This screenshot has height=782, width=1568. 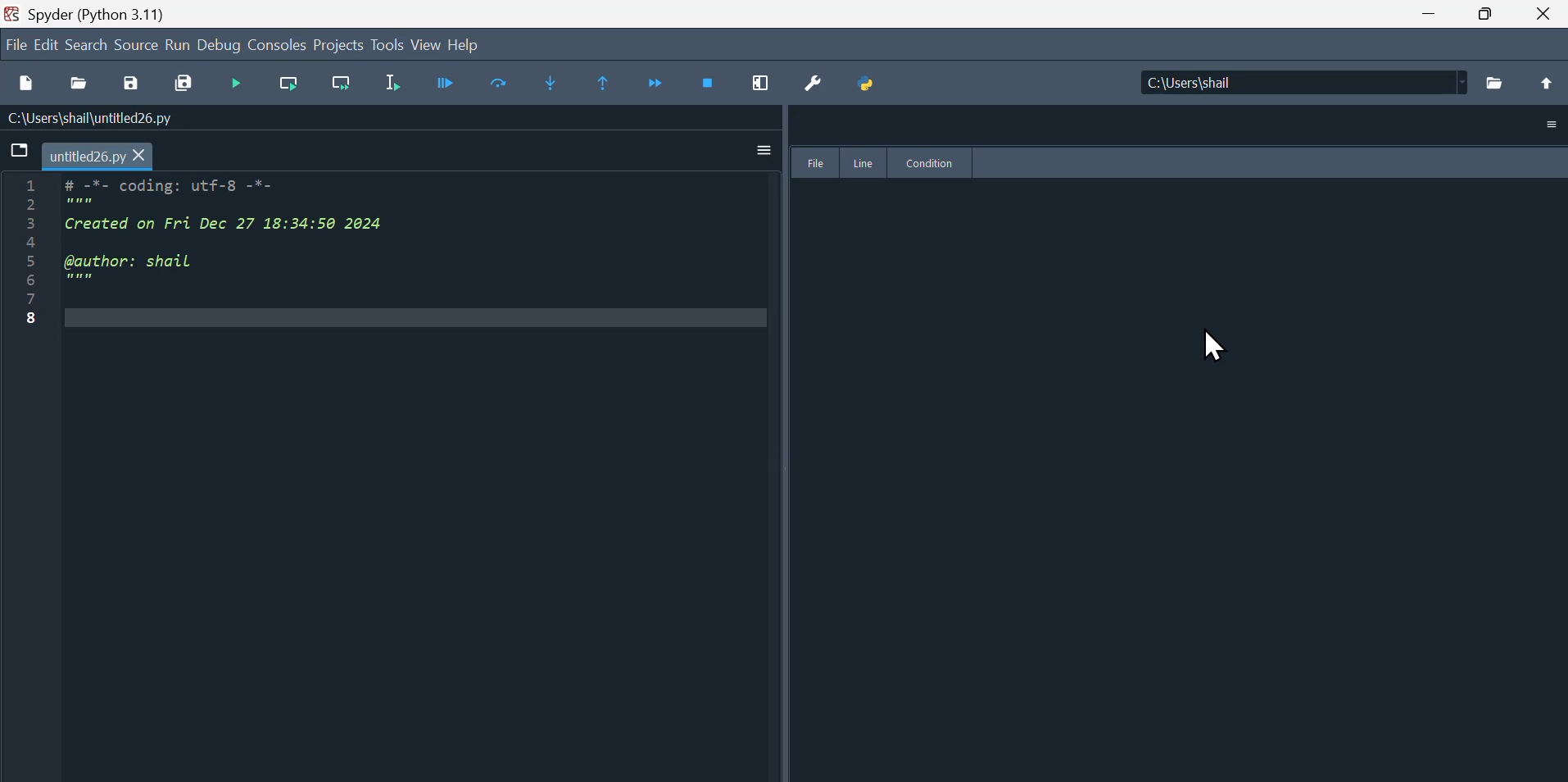 What do you see at coordinates (290, 84) in the screenshot?
I see `Run current cell` at bounding box center [290, 84].